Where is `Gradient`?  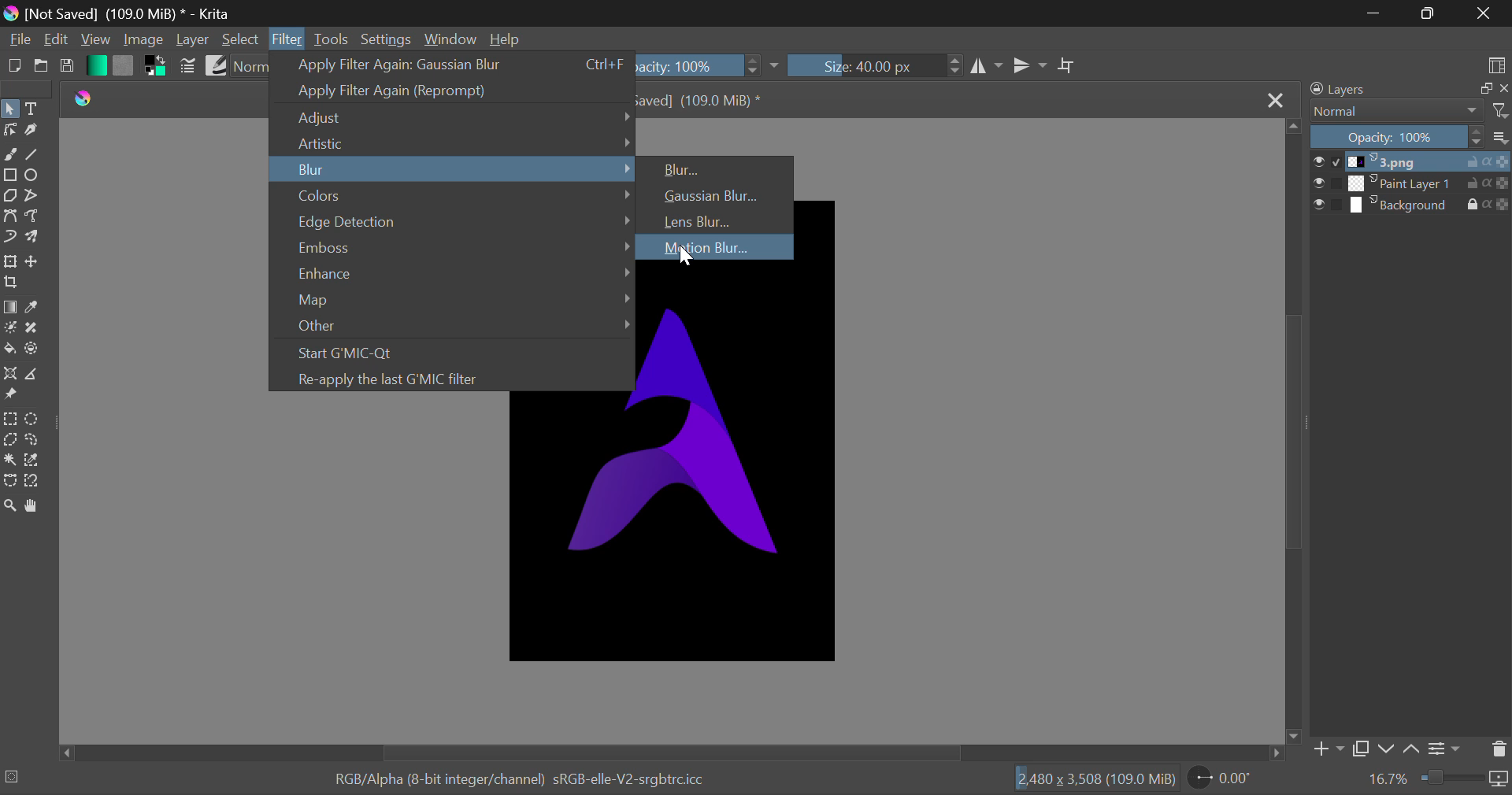
Gradient is located at coordinates (95, 65).